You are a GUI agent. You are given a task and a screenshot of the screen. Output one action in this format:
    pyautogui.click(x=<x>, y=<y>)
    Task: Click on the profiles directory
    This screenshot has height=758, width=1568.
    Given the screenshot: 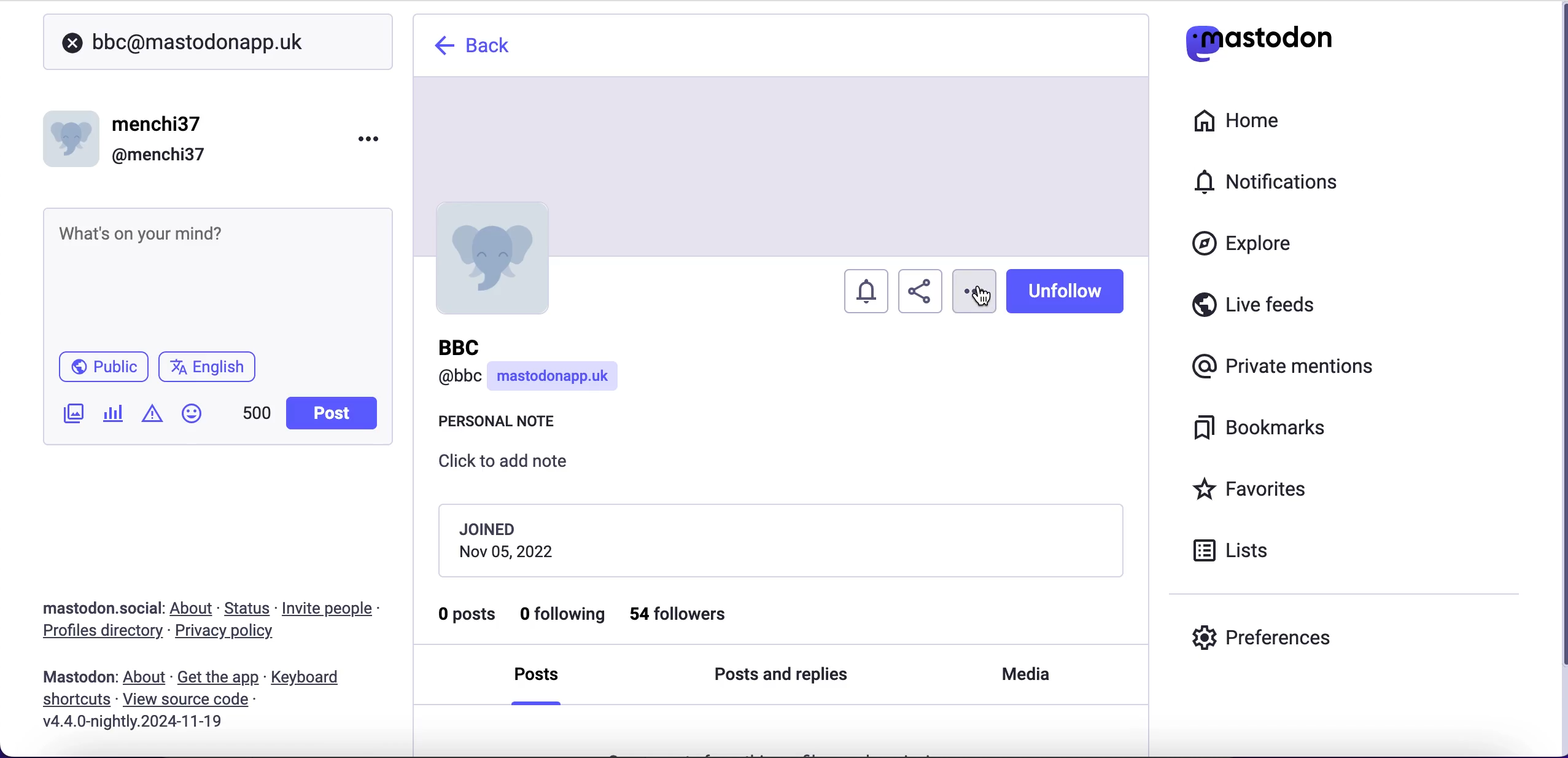 What is the action you would take?
    pyautogui.click(x=95, y=633)
    